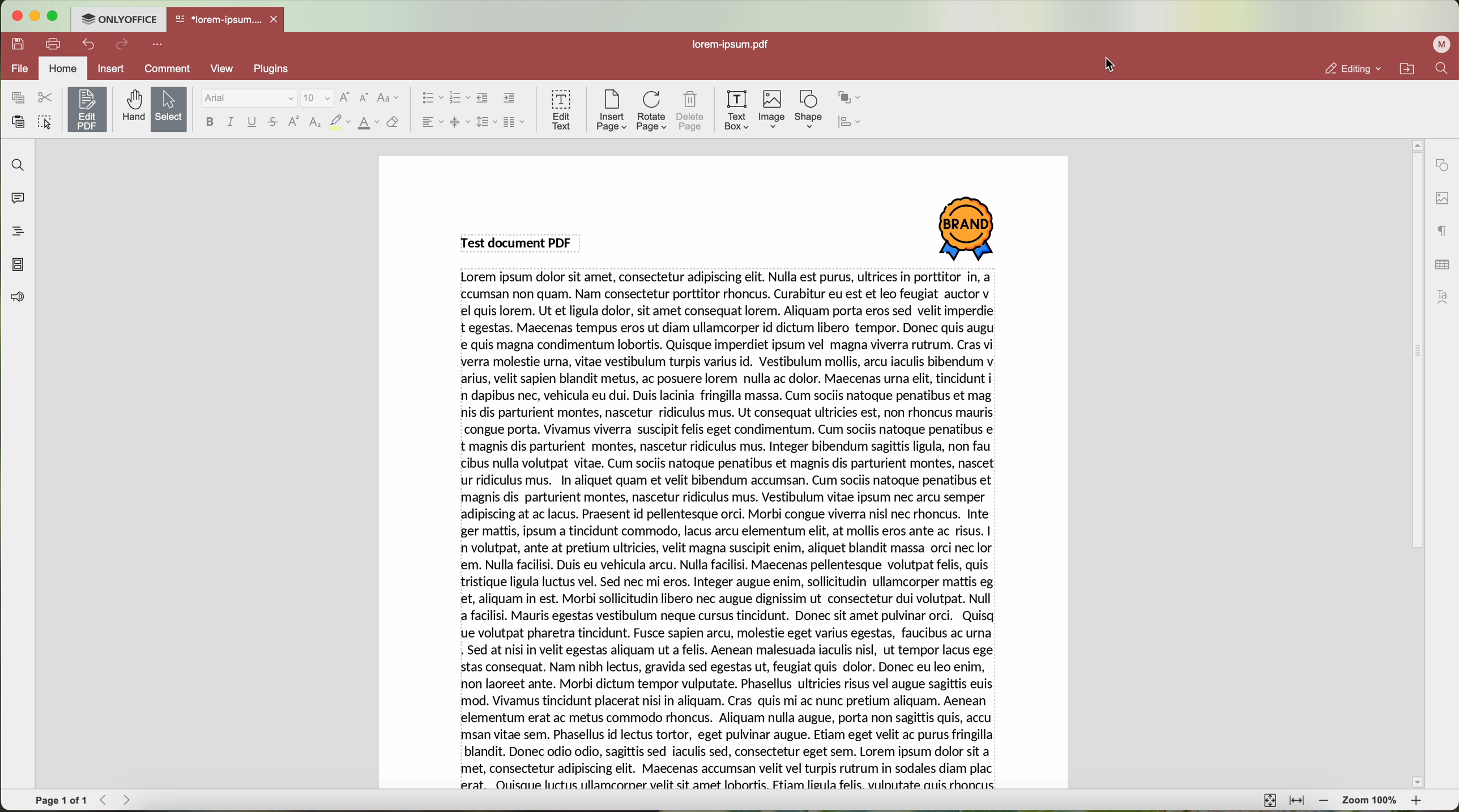 This screenshot has width=1459, height=812. I want to click on Backward, so click(107, 800).